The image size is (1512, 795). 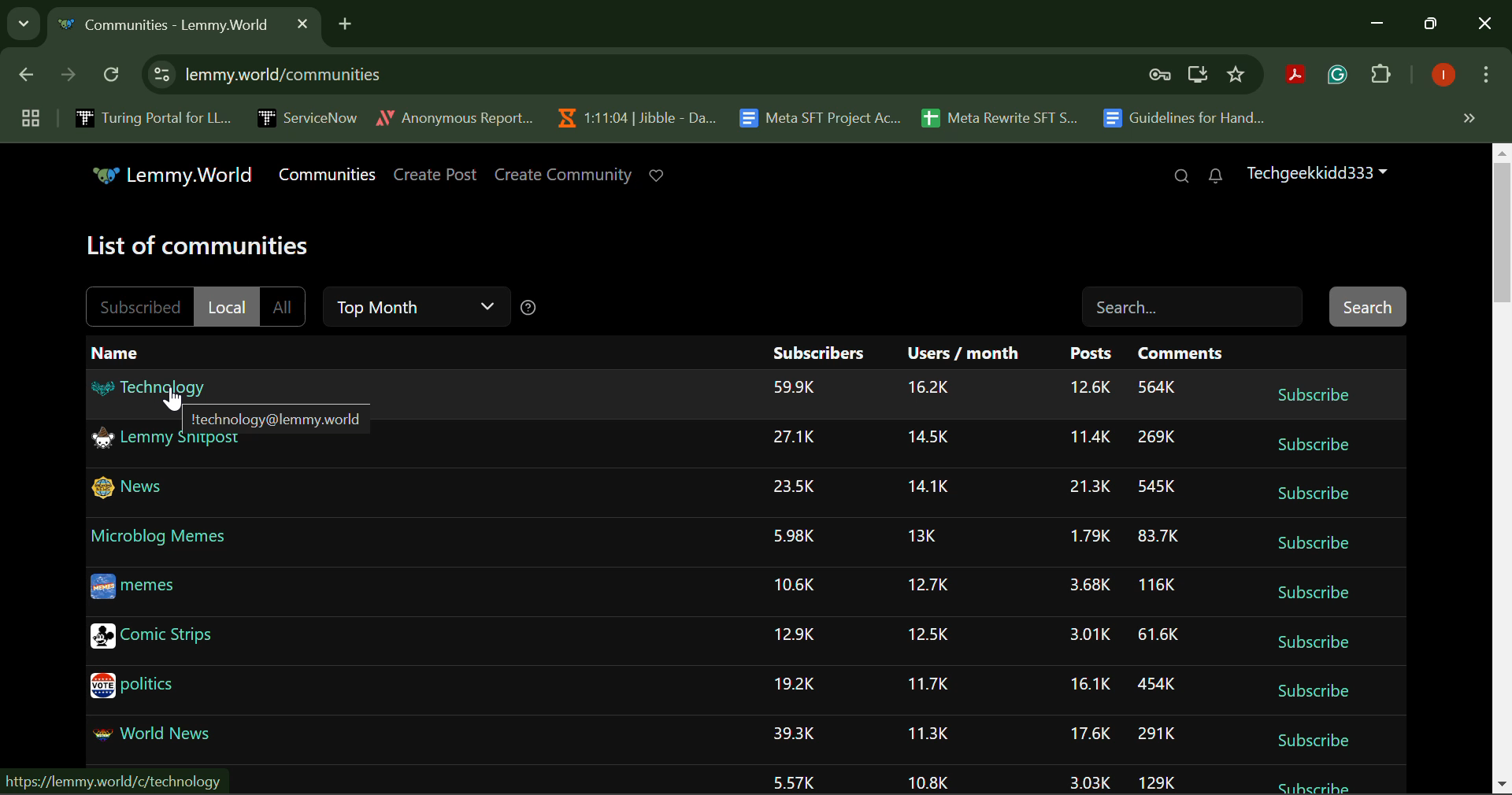 What do you see at coordinates (302, 23) in the screenshot?
I see `Close Tab` at bounding box center [302, 23].